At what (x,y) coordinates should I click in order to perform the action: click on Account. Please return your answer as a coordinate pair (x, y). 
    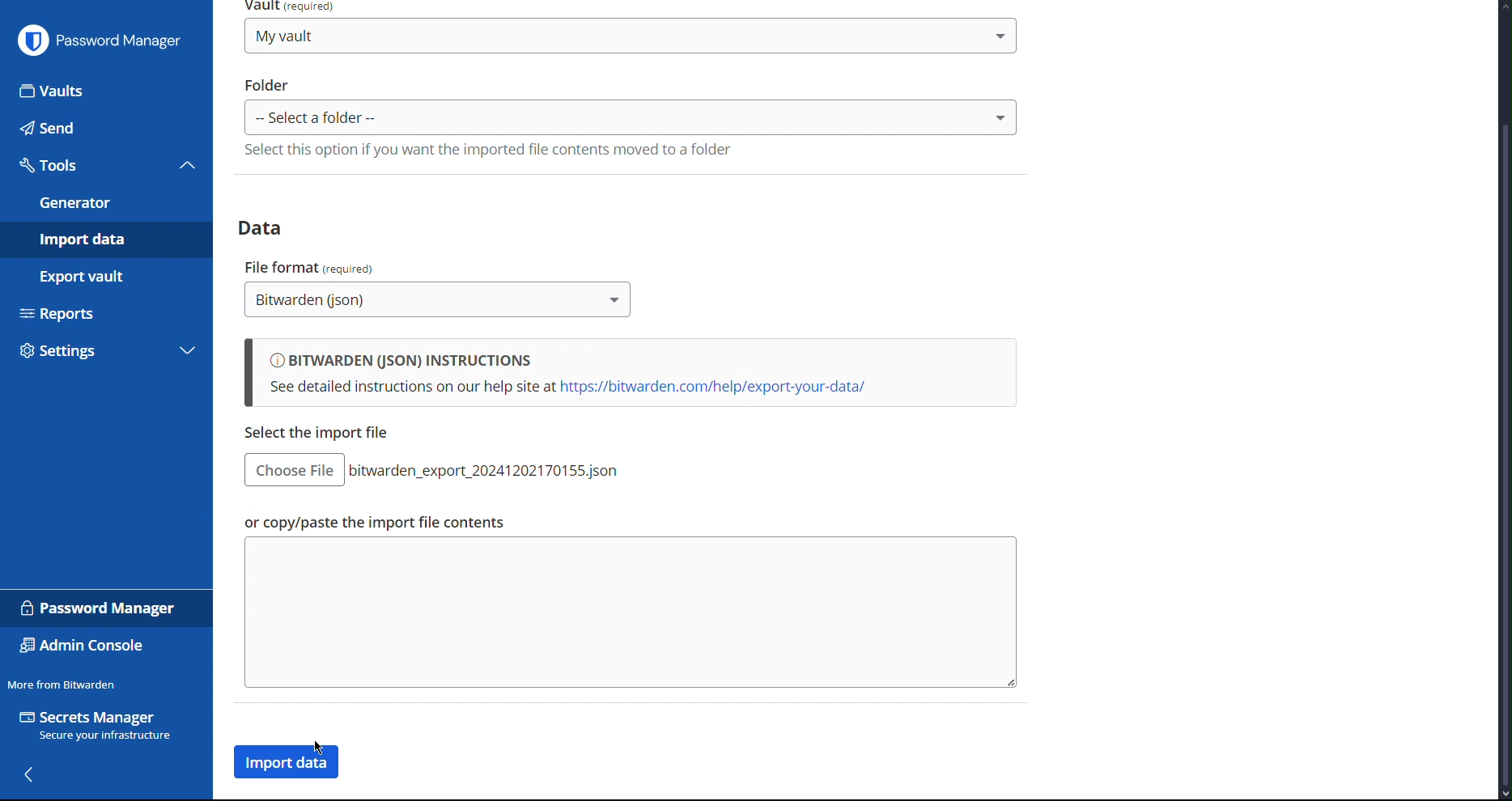
    Looking at the image, I should click on (1454, 38).